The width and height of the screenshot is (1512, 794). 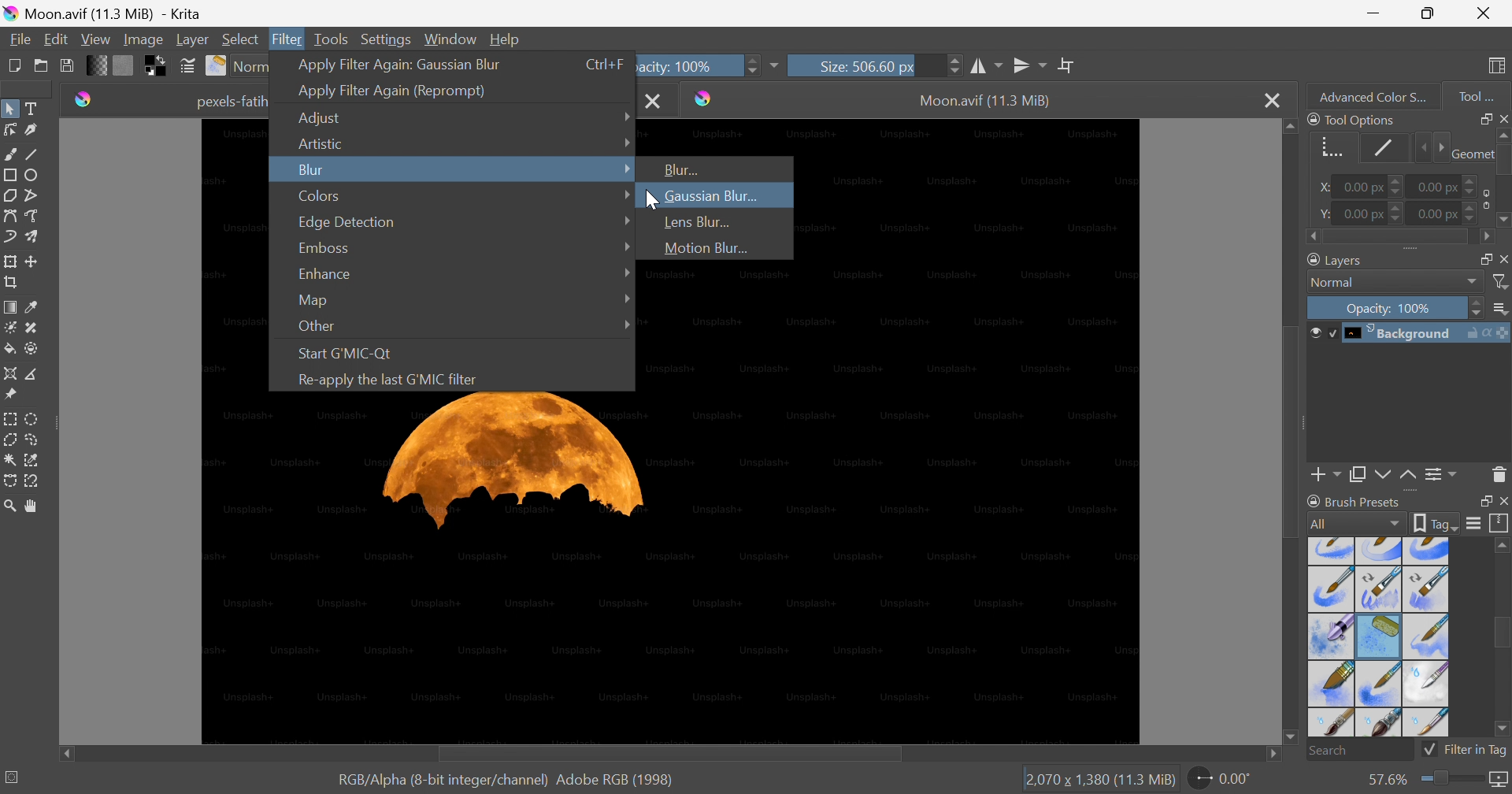 What do you see at coordinates (1354, 525) in the screenshot?
I see `All` at bounding box center [1354, 525].